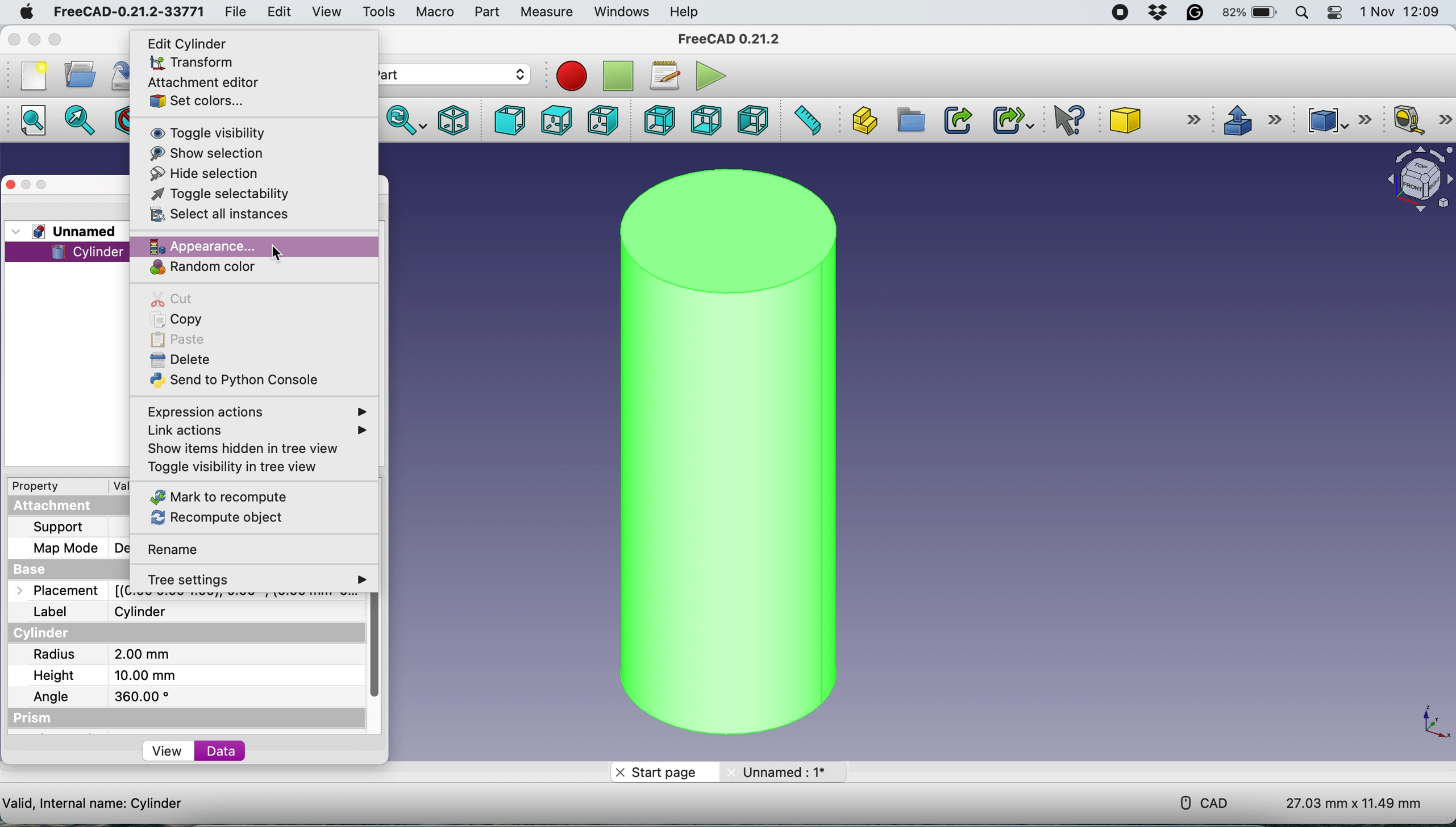 This screenshot has width=1456, height=827. What do you see at coordinates (1122, 14) in the screenshot?
I see `screen recorder` at bounding box center [1122, 14].